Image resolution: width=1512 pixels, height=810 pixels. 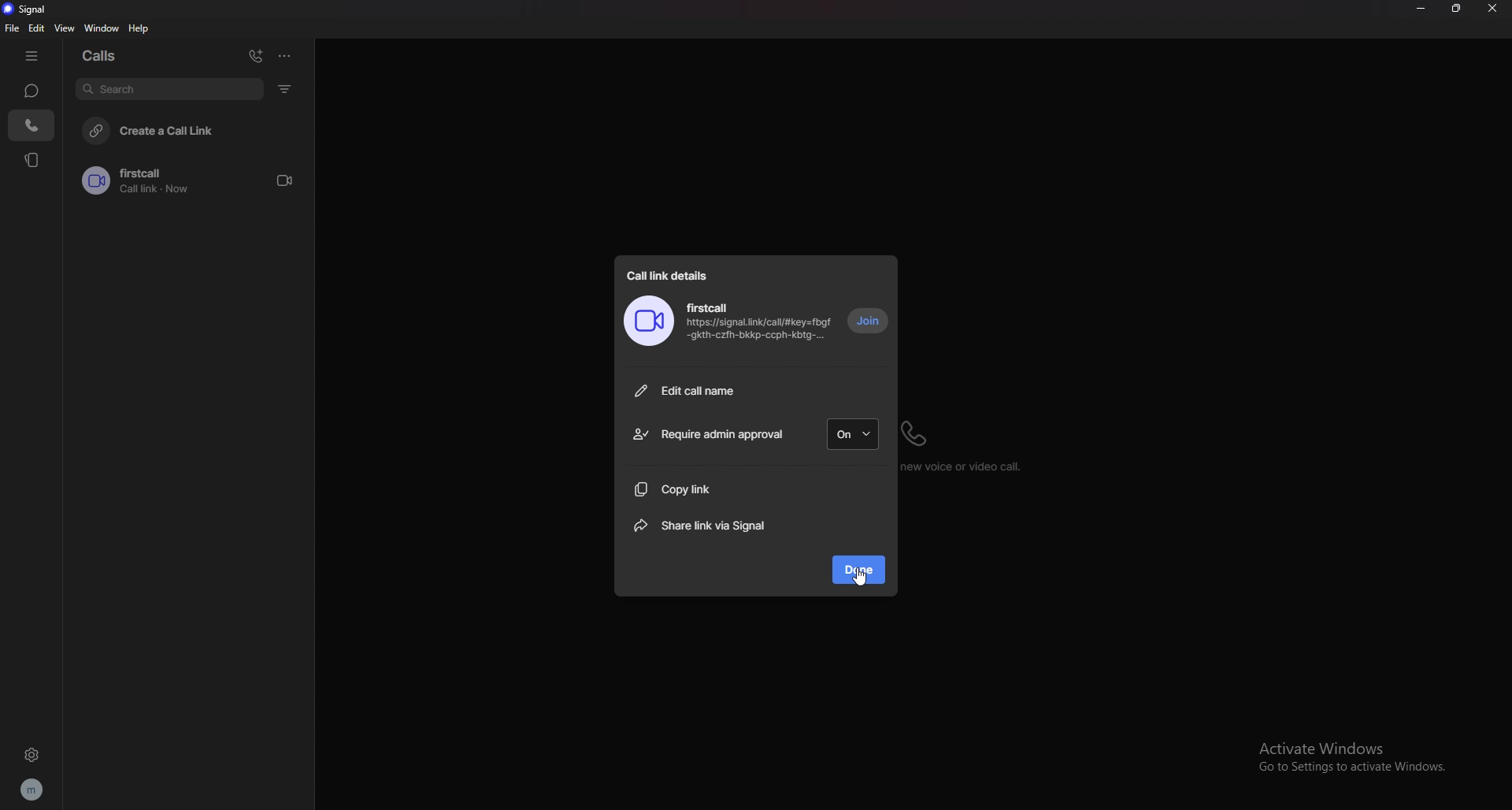 I want to click on calls, so click(x=32, y=125).